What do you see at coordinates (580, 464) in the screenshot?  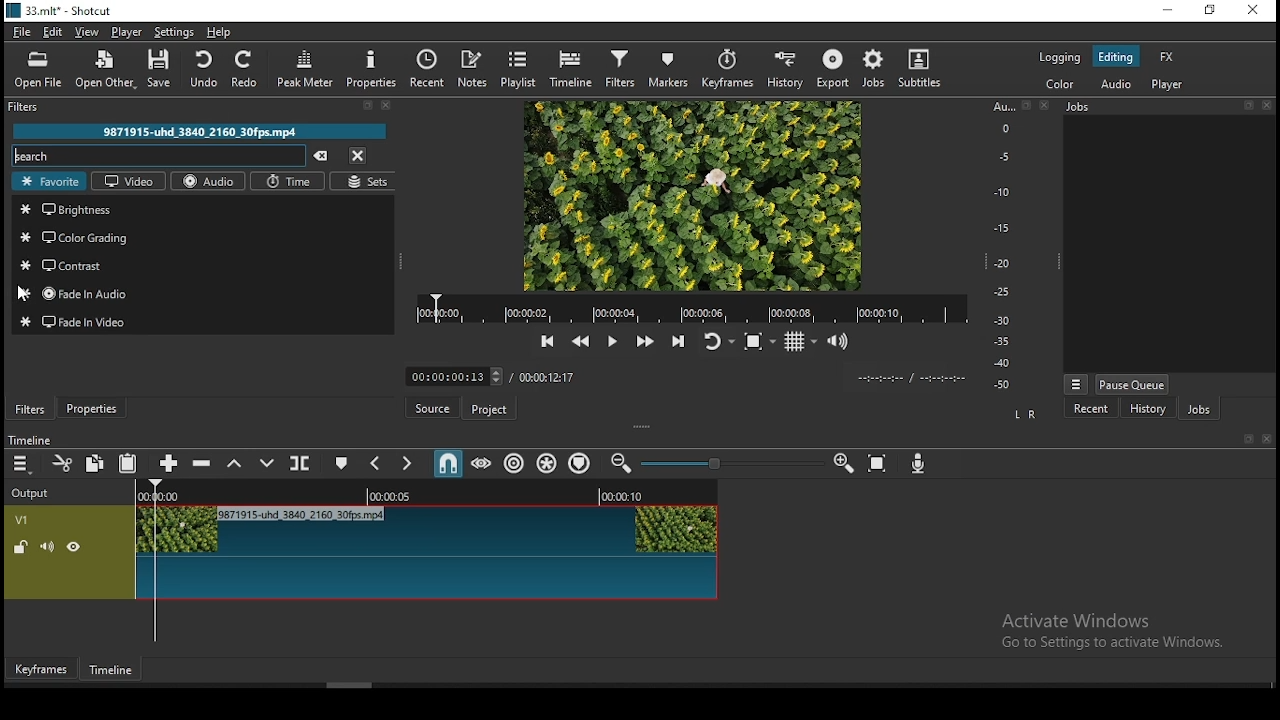 I see `ripple markers` at bounding box center [580, 464].